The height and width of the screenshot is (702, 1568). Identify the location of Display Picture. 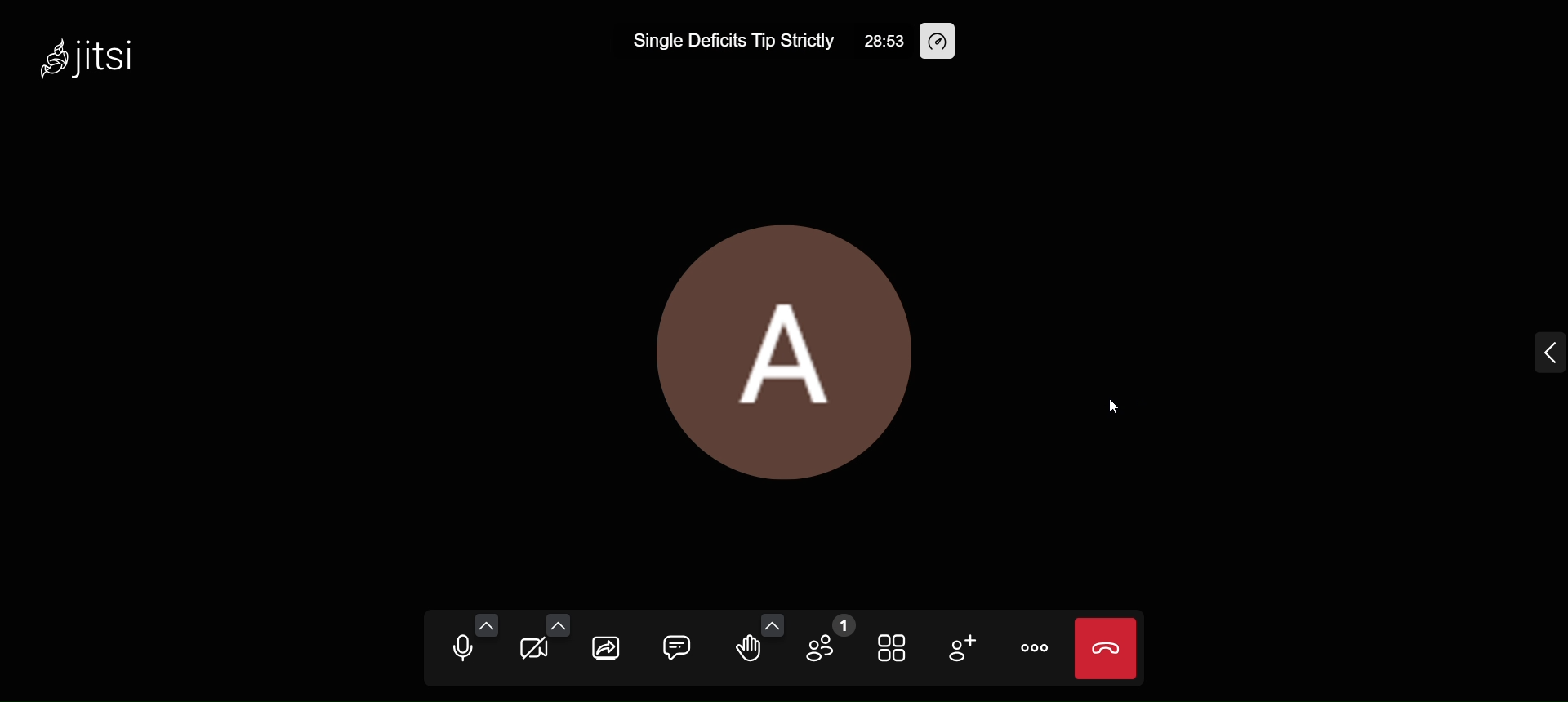
(786, 345).